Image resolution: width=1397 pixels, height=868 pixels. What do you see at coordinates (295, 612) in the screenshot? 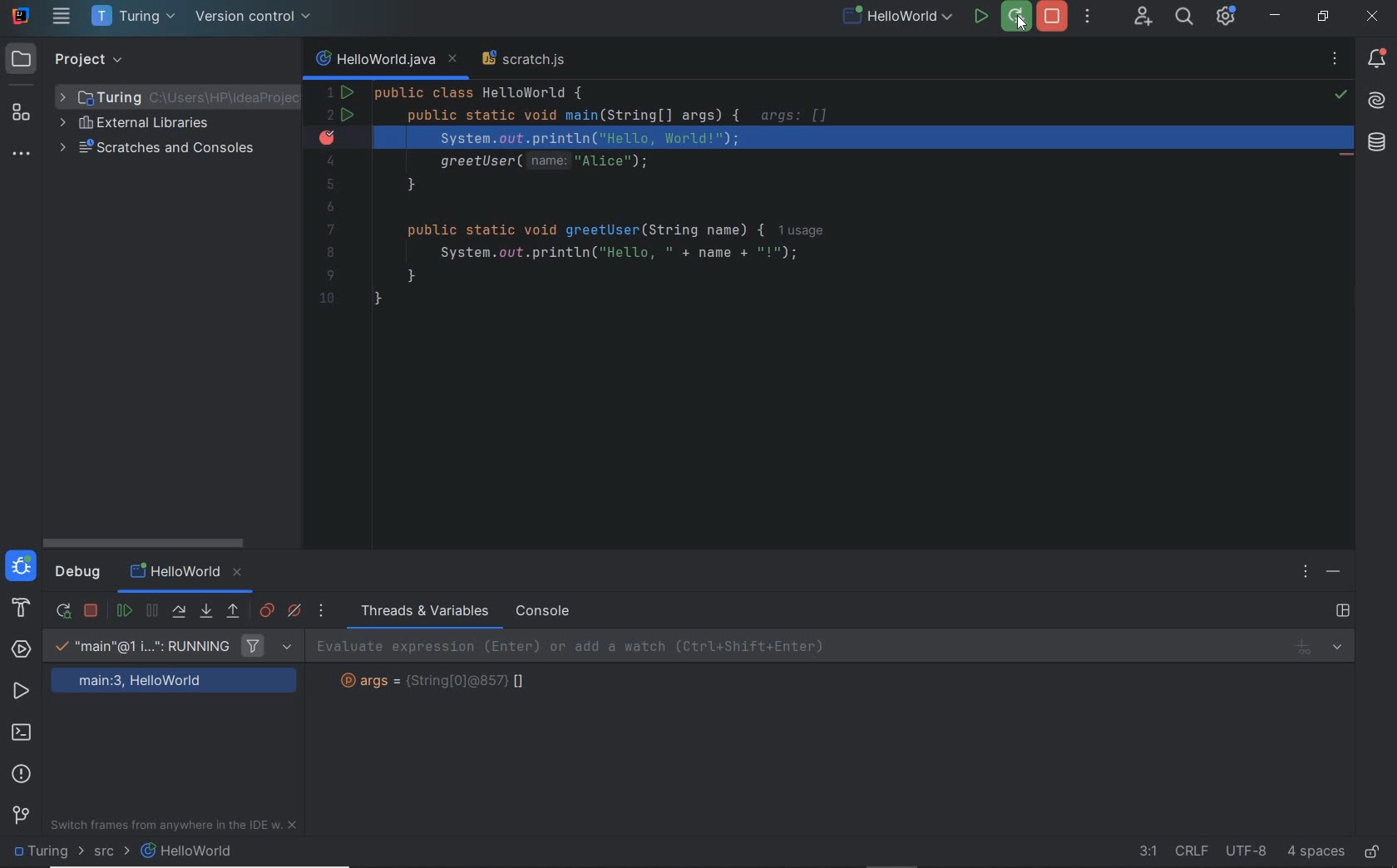
I see `mute breaking points` at bounding box center [295, 612].